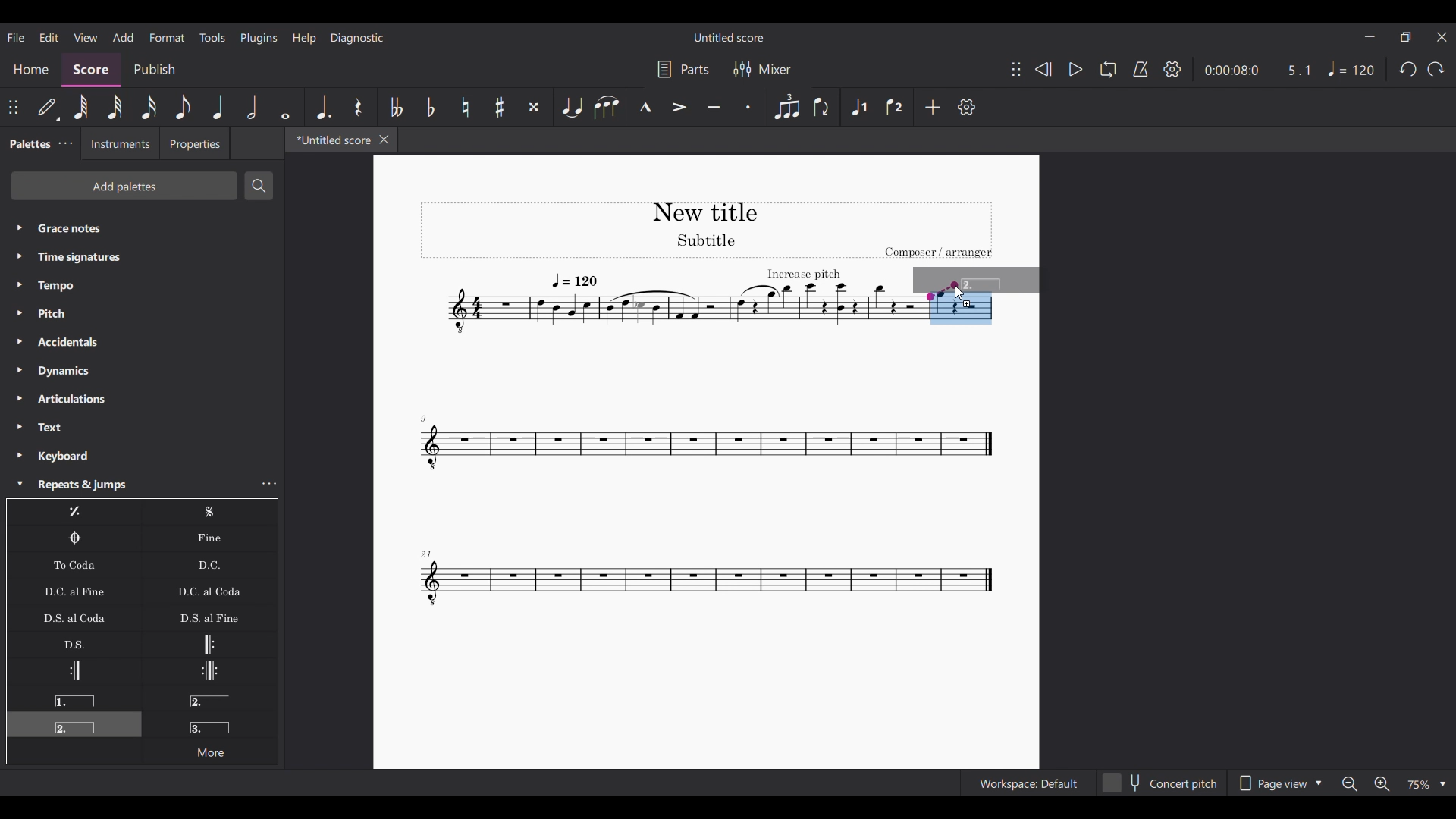 The width and height of the screenshot is (1456, 819). I want to click on D.S. al Coda, so click(74, 617).